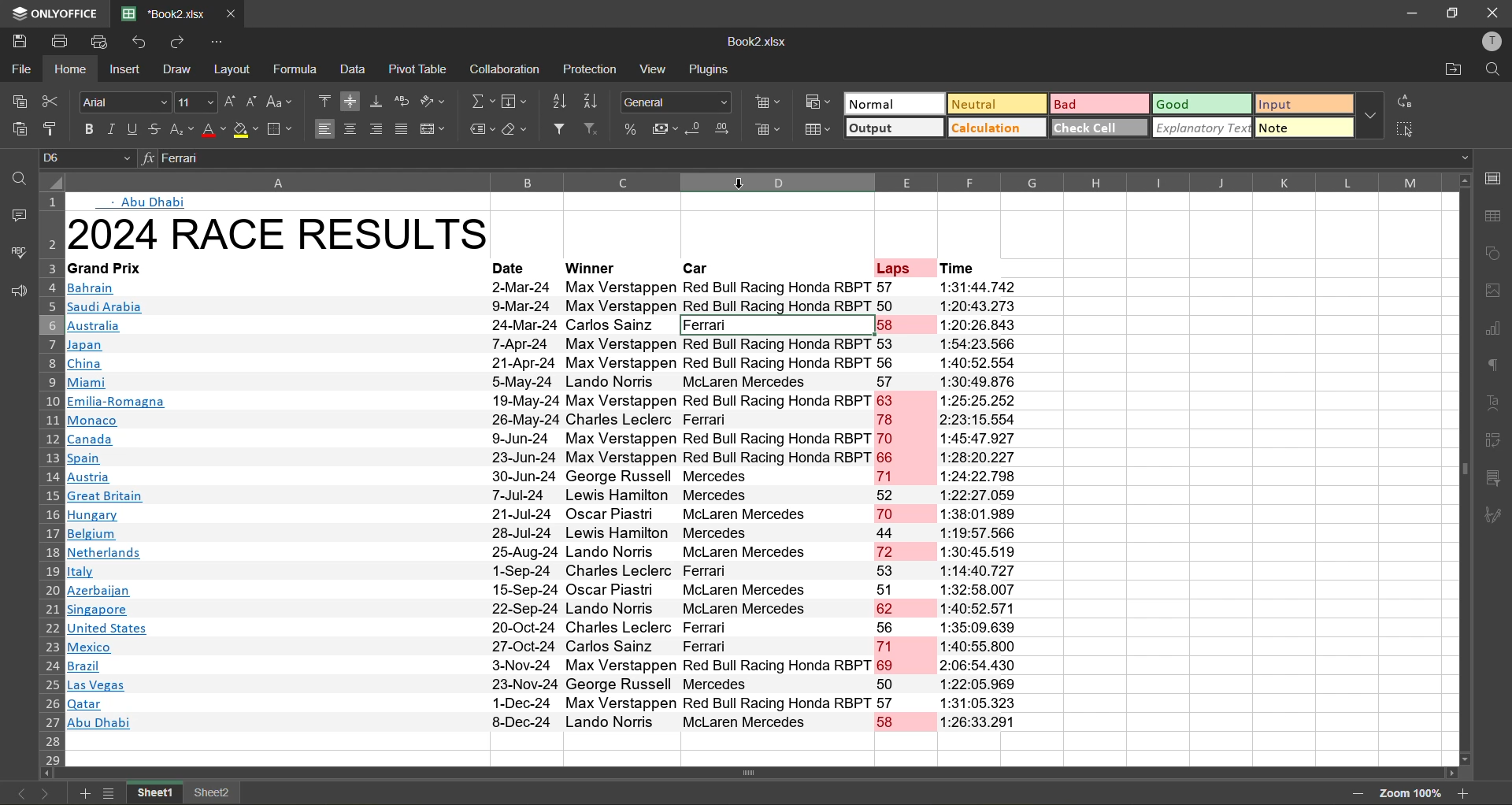  I want to click on increase decimal, so click(724, 128).